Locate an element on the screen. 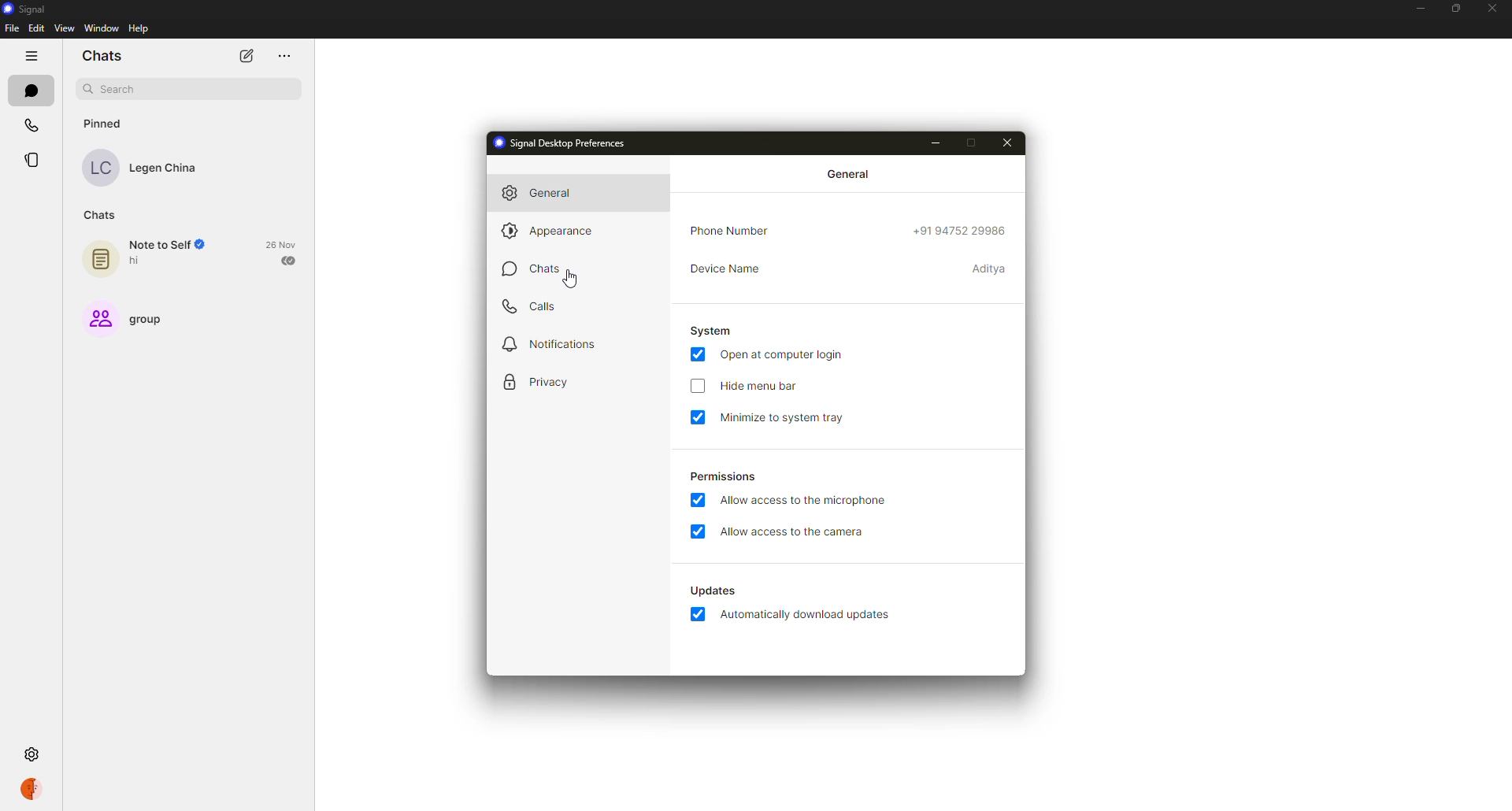 The width and height of the screenshot is (1512, 811). updates is located at coordinates (714, 591).